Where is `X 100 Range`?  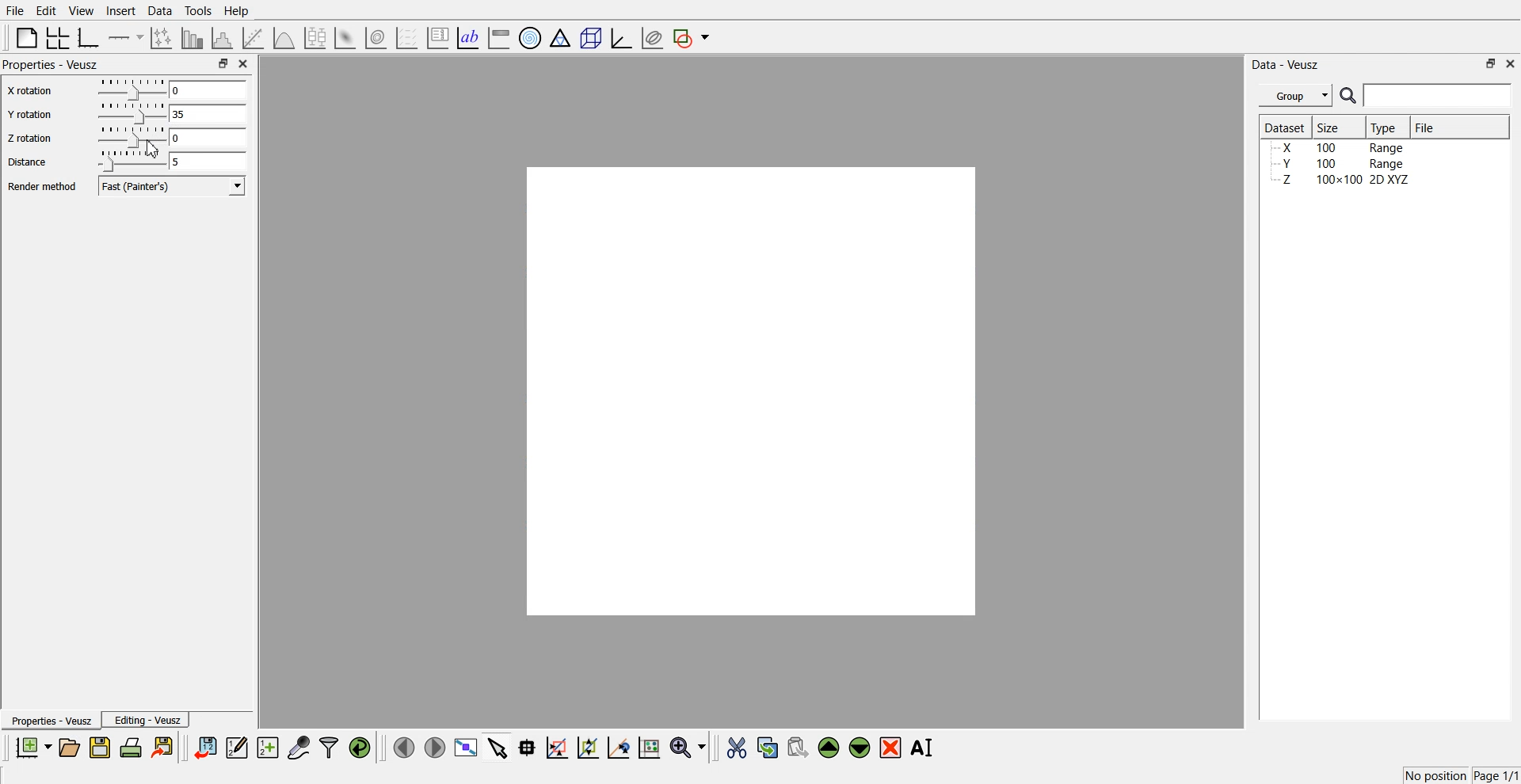 X 100 Range is located at coordinates (1341, 147).